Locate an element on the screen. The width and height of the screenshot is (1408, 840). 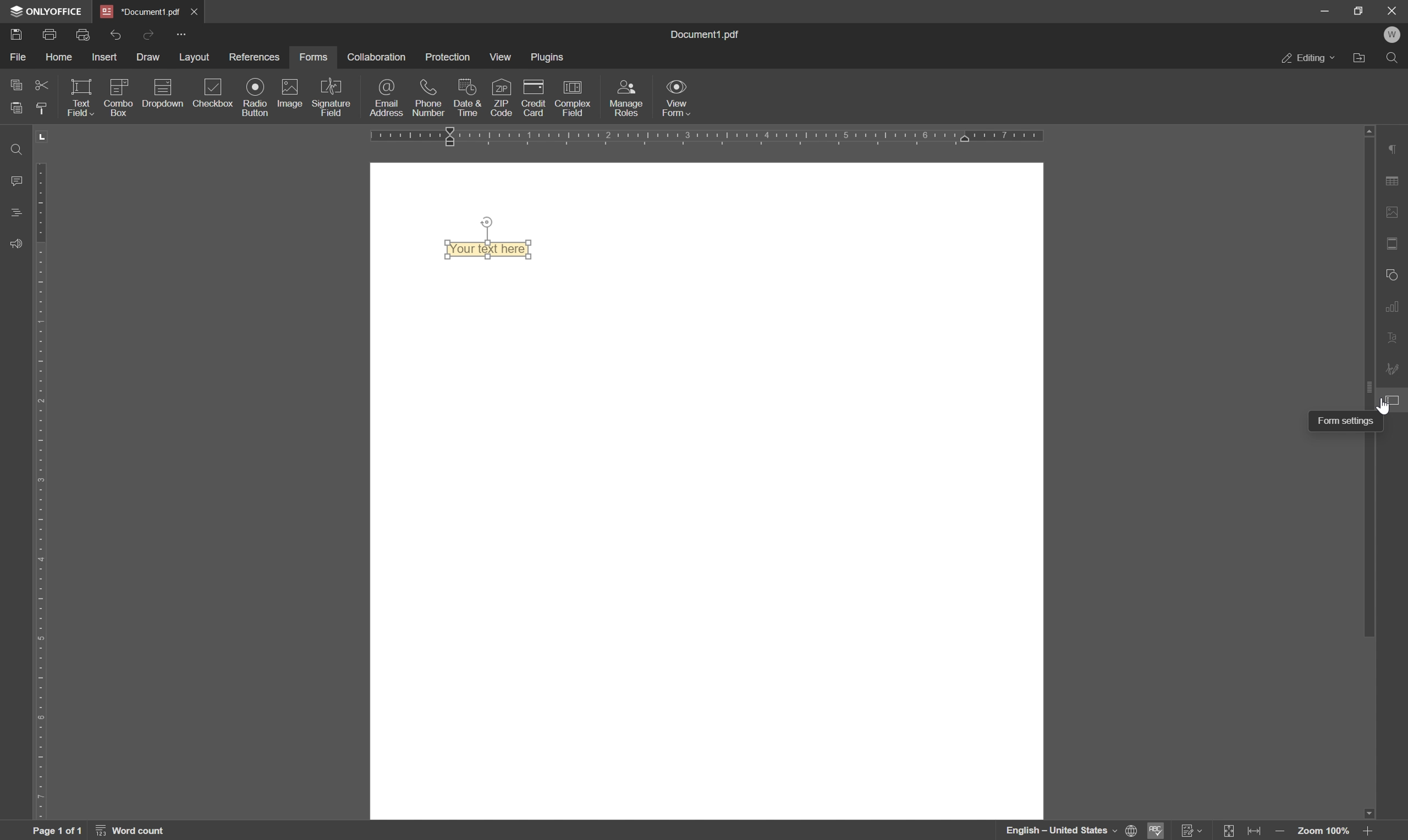
comments is located at coordinates (14, 180).